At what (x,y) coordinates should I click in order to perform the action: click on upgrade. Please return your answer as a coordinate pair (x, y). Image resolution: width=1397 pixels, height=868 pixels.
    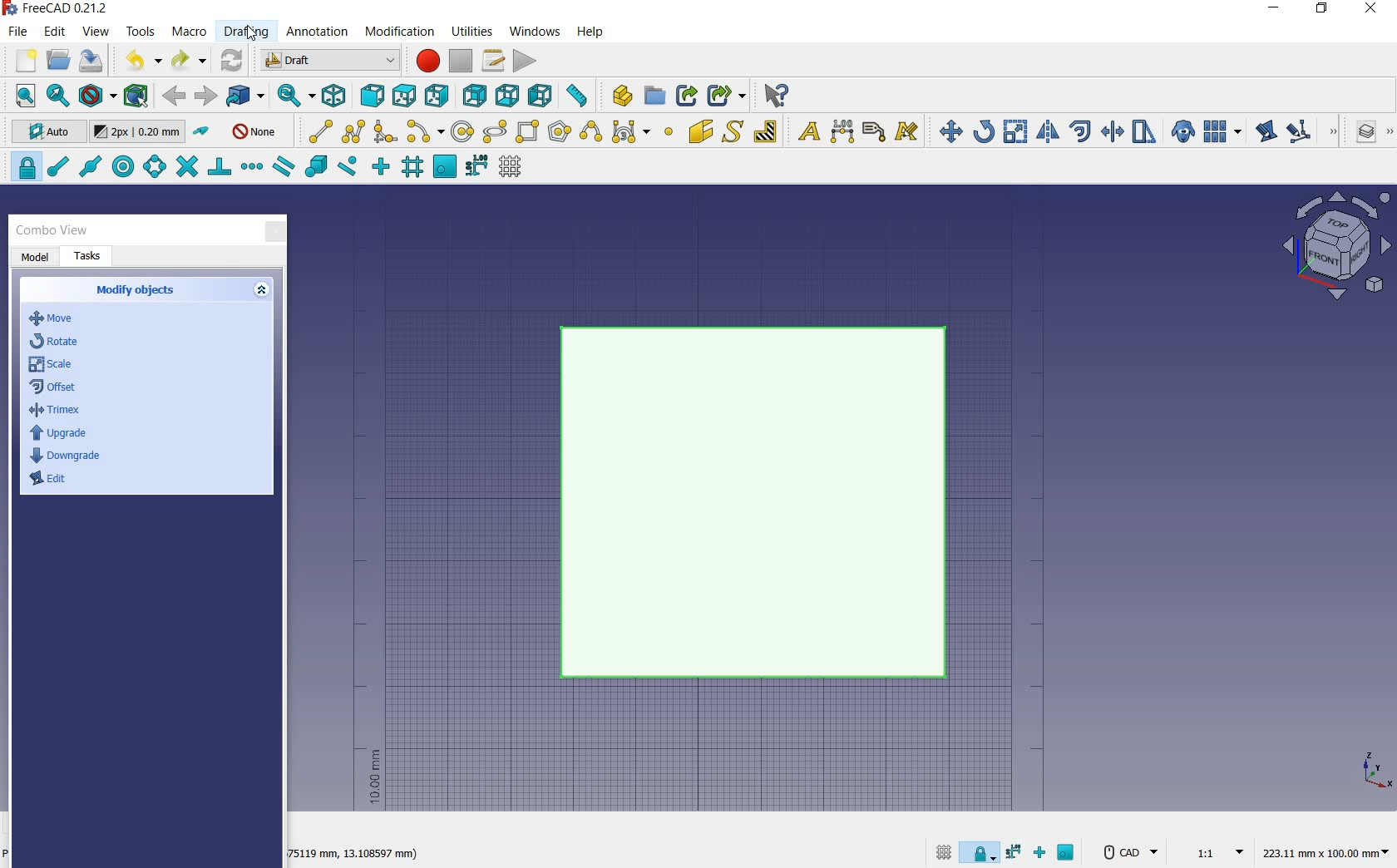
    Looking at the image, I should click on (58, 435).